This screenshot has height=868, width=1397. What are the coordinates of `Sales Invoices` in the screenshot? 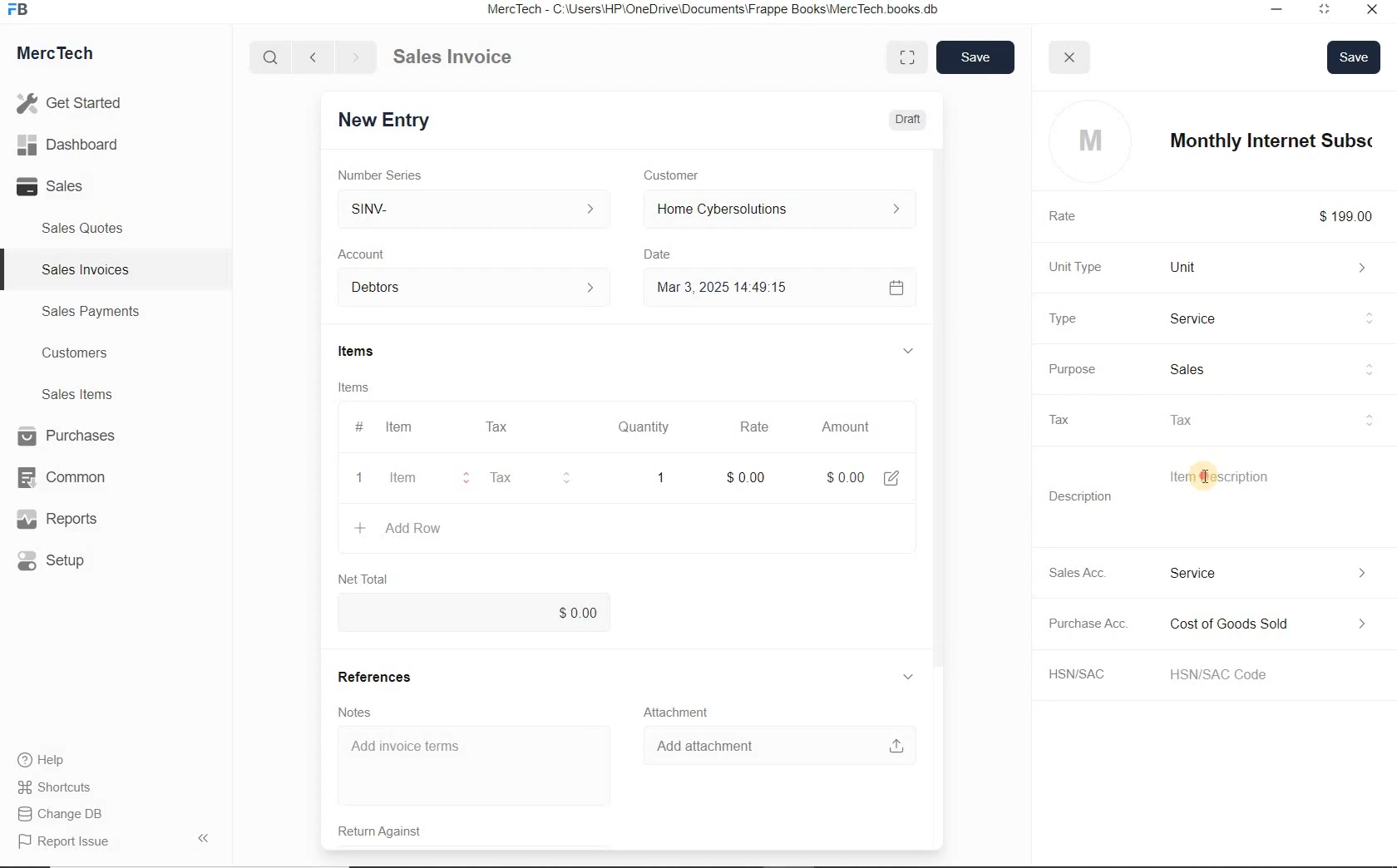 It's located at (86, 269).